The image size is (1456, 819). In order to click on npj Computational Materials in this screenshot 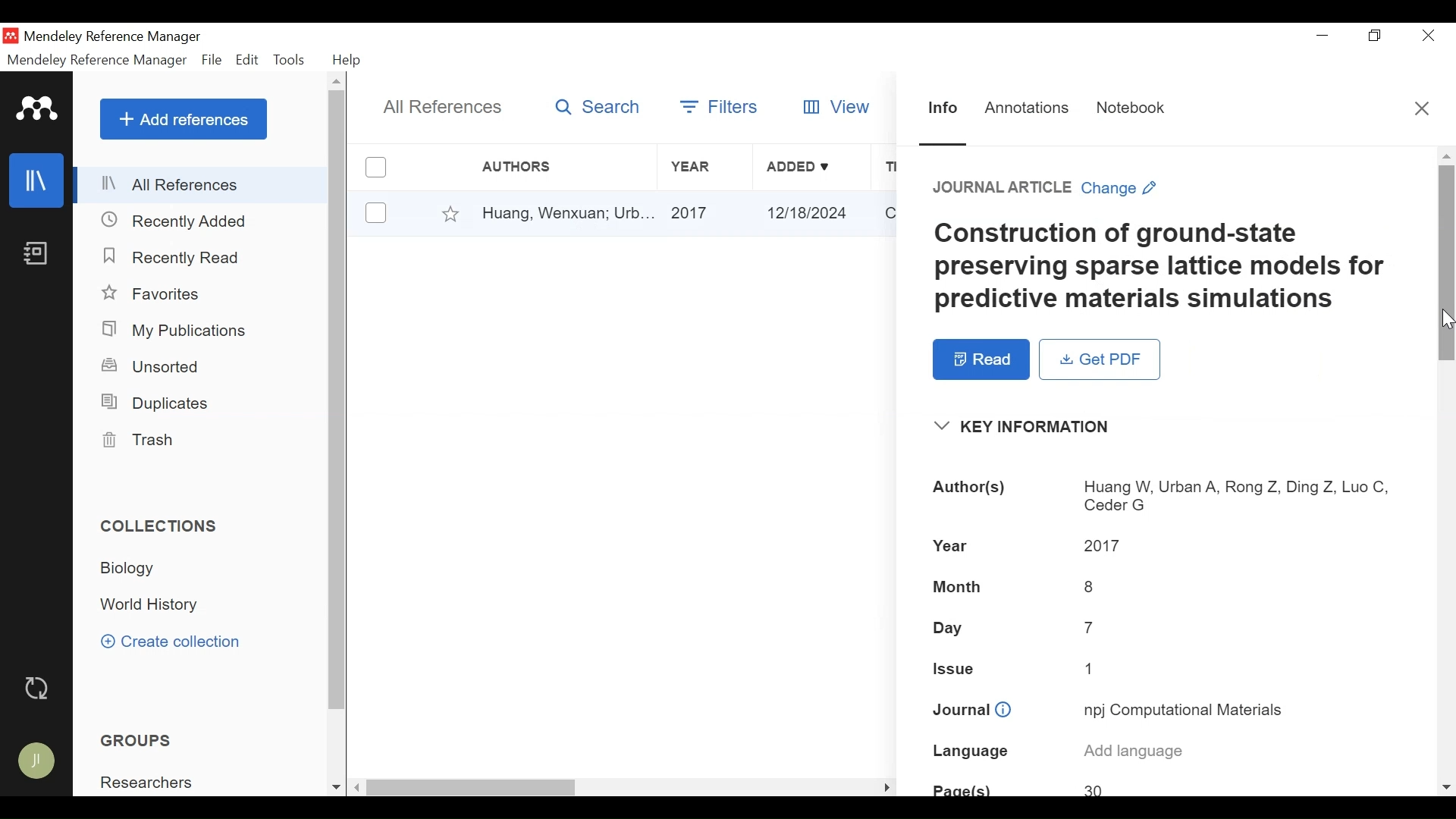, I will do `click(1189, 712)`.